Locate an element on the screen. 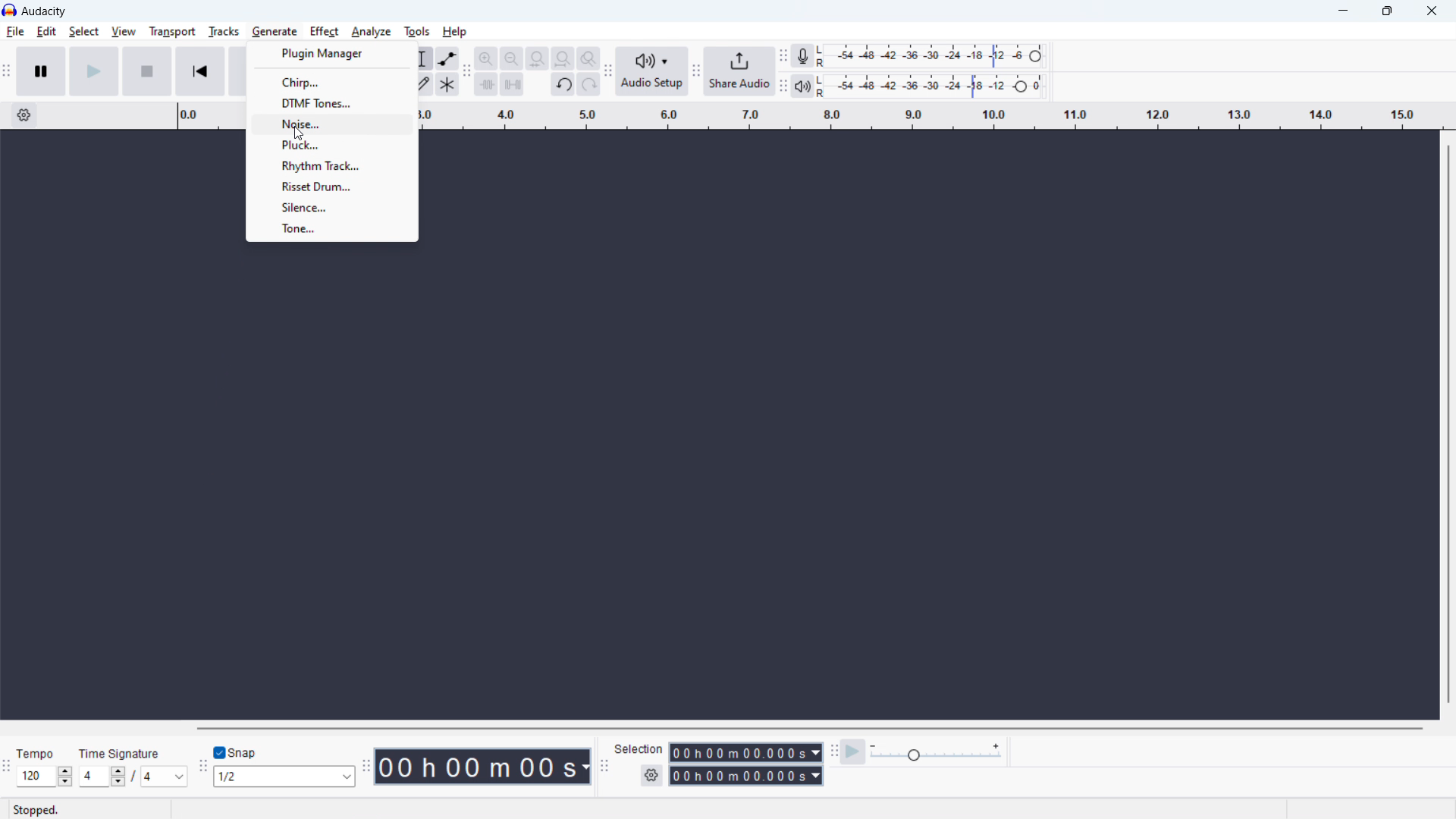  close is located at coordinates (1431, 11).